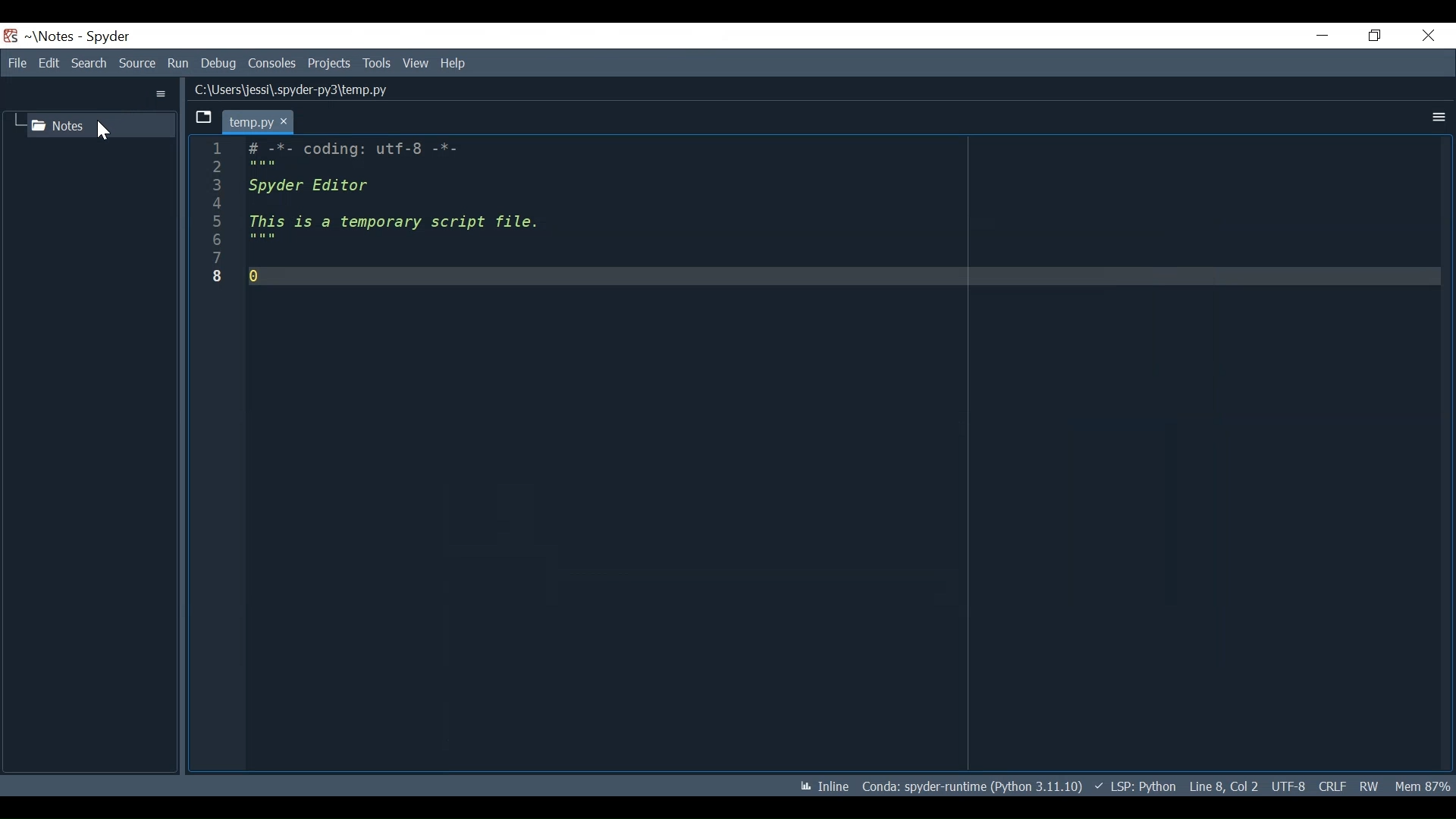  I want to click on File EQL Status, so click(1332, 786).